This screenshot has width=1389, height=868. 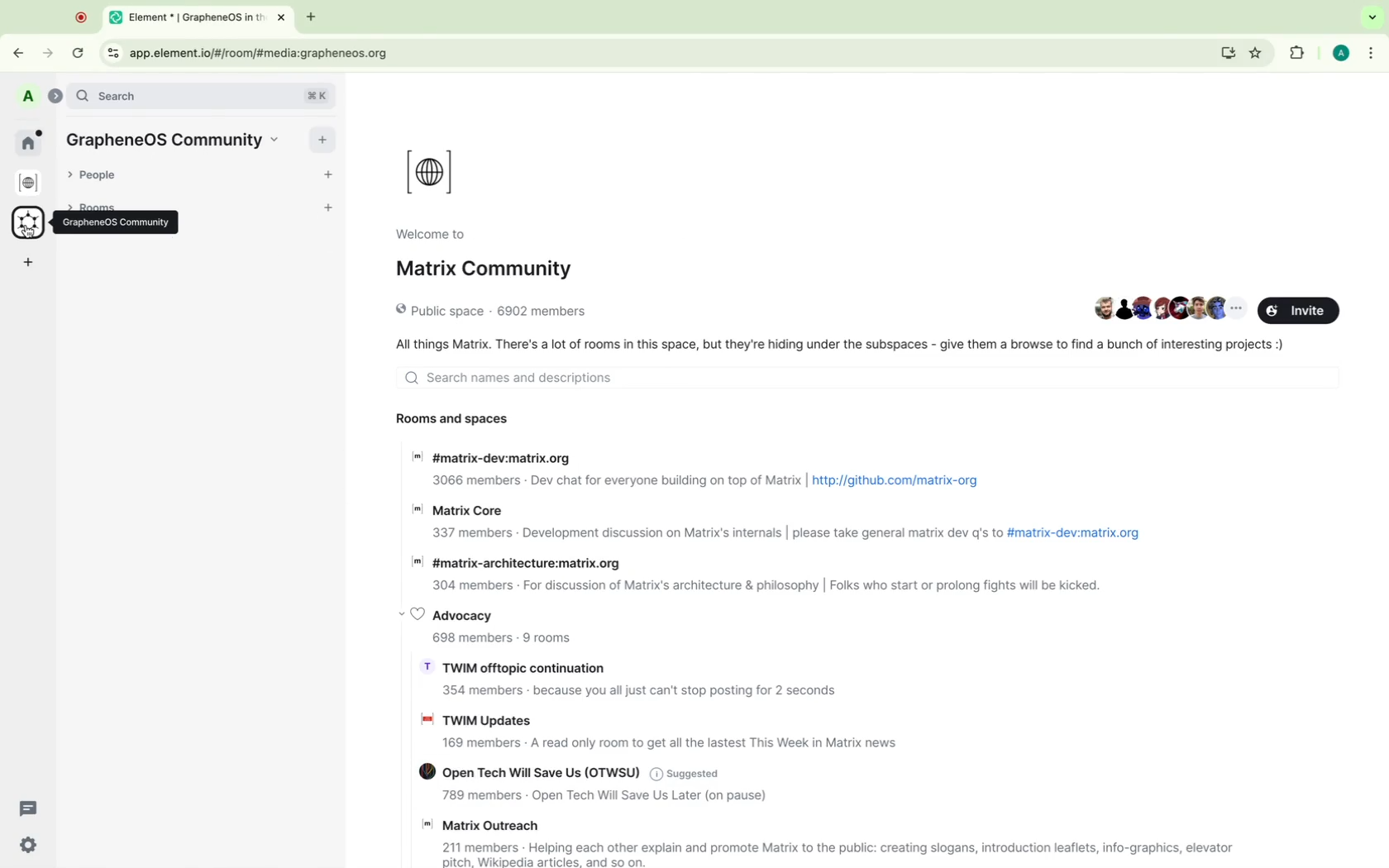 What do you see at coordinates (686, 773) in the screenshot?
I see `Suggested` at bounding box center [686, 773].